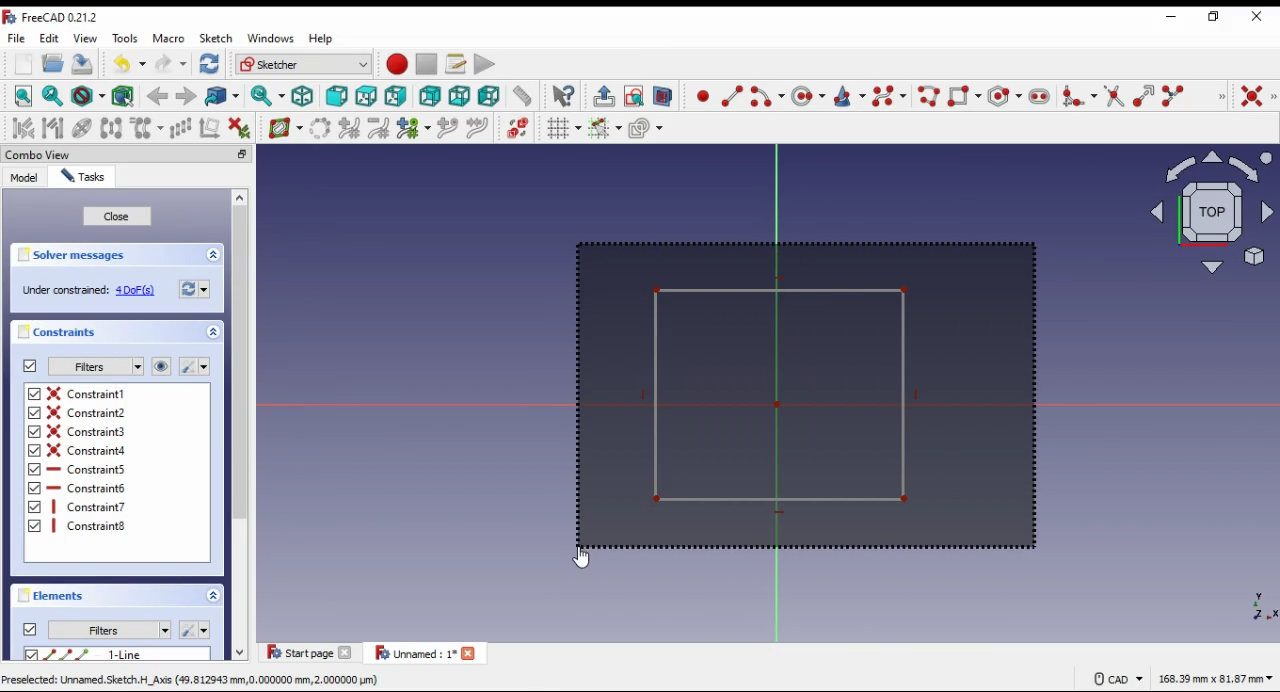 Image resolution: width=1280 pixels, height=692 pixels. What do you see at coordinates (49, 39) in the screenshot?
I see `edit` at bounding box center [49, 39].